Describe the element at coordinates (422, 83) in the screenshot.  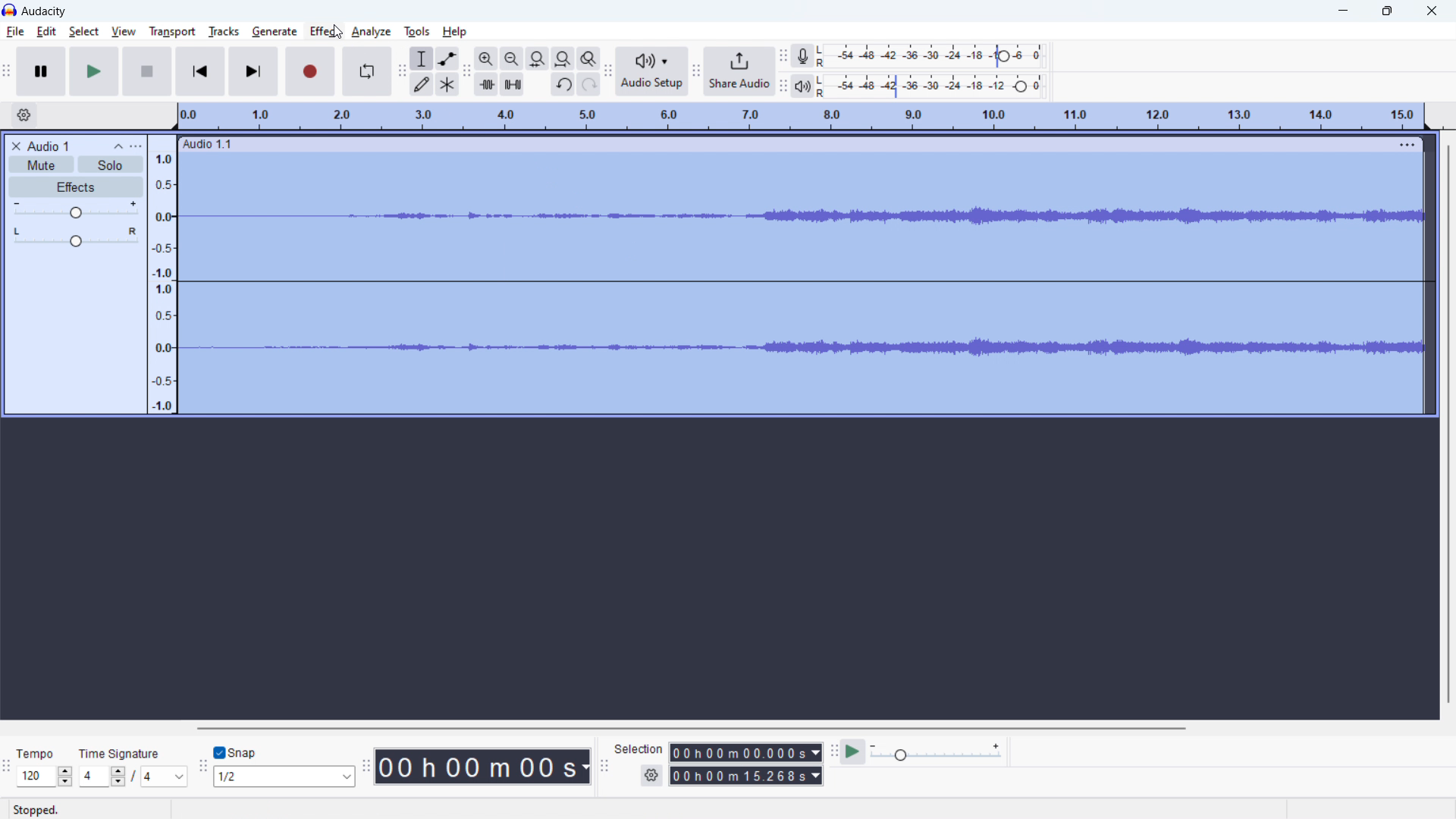
I see `draw tool` at that location.